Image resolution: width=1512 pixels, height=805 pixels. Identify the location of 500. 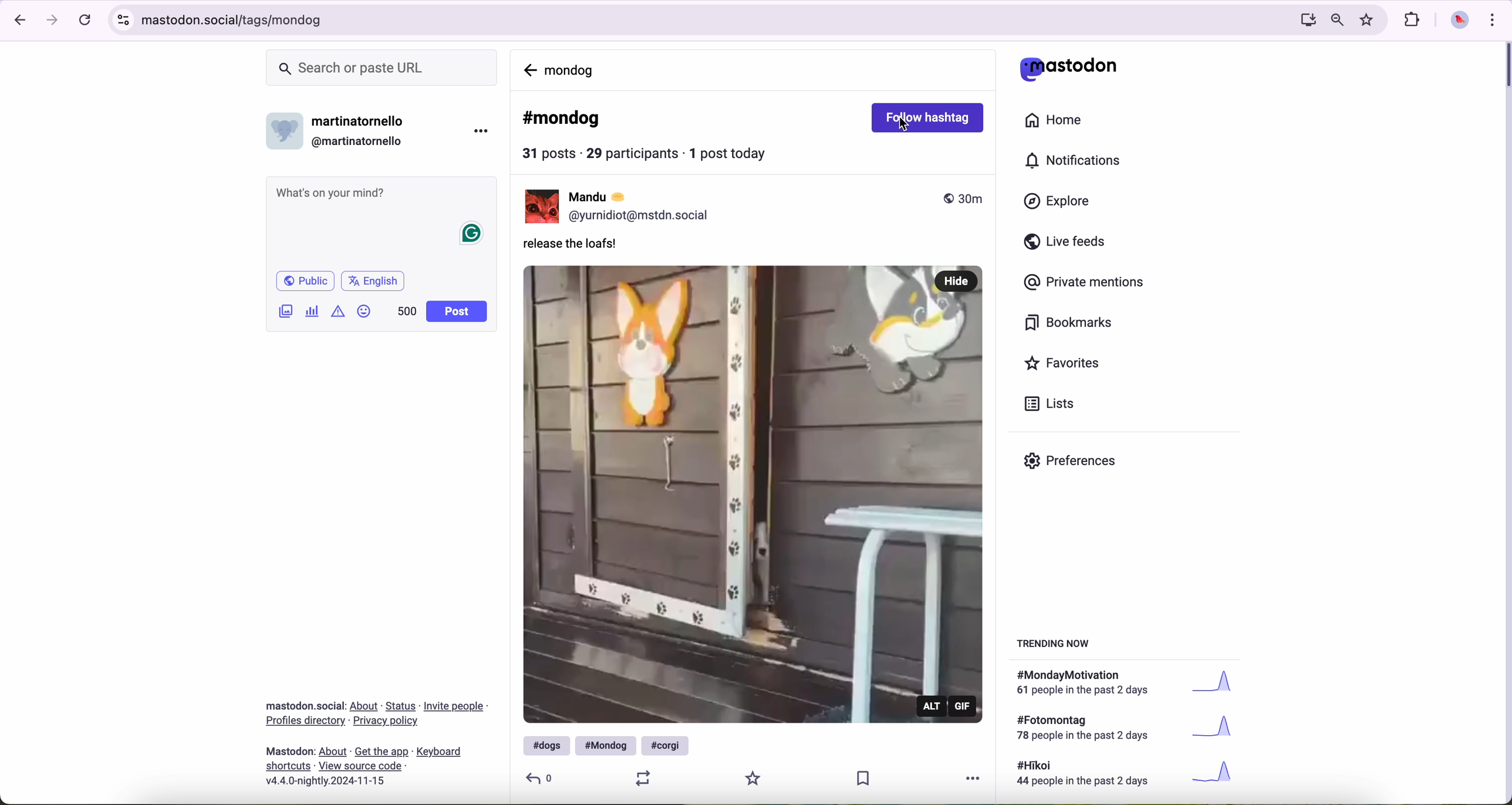
(406, 312).